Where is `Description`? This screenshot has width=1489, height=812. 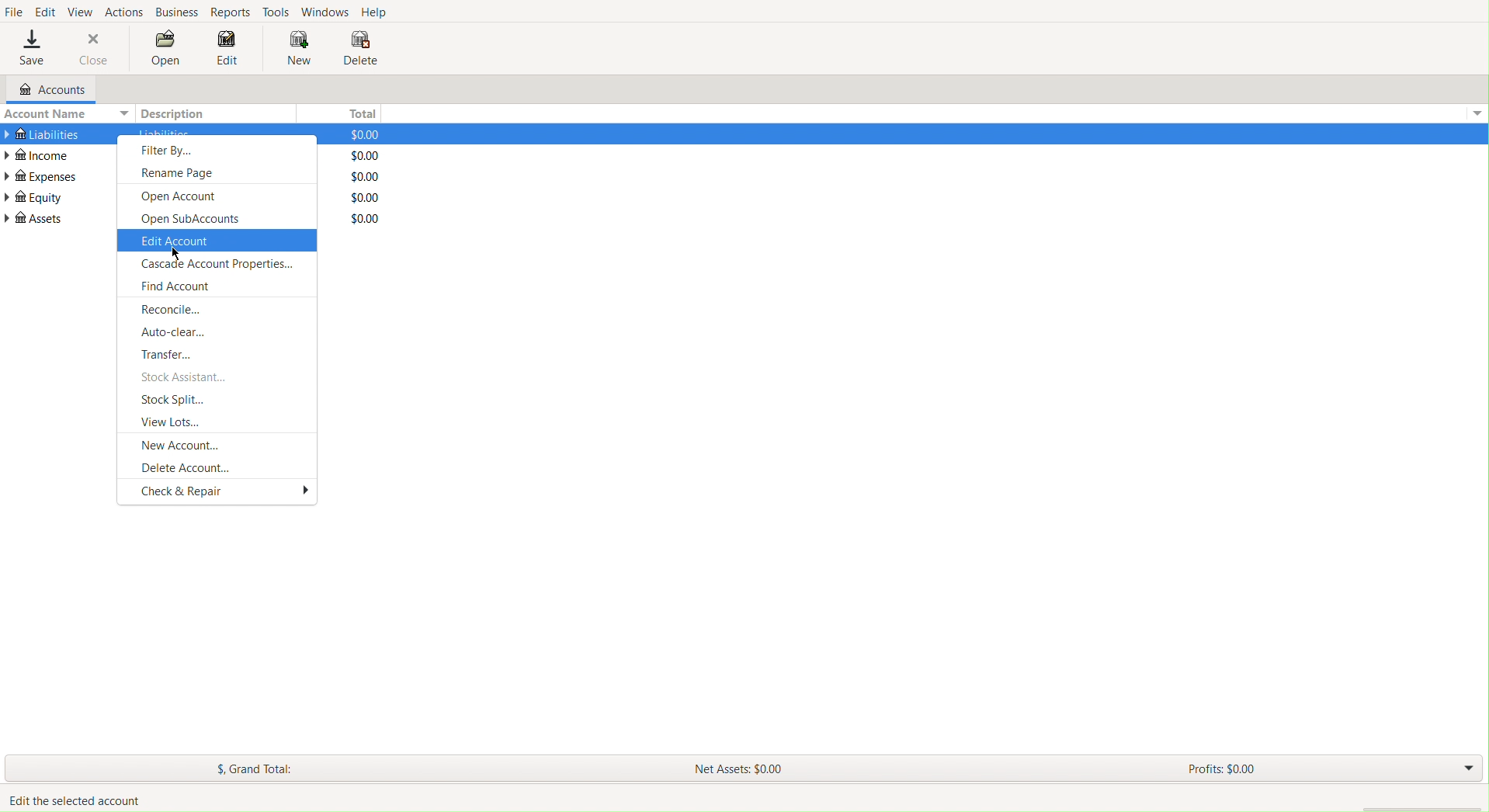 Description is located at coordinates (177, 113).